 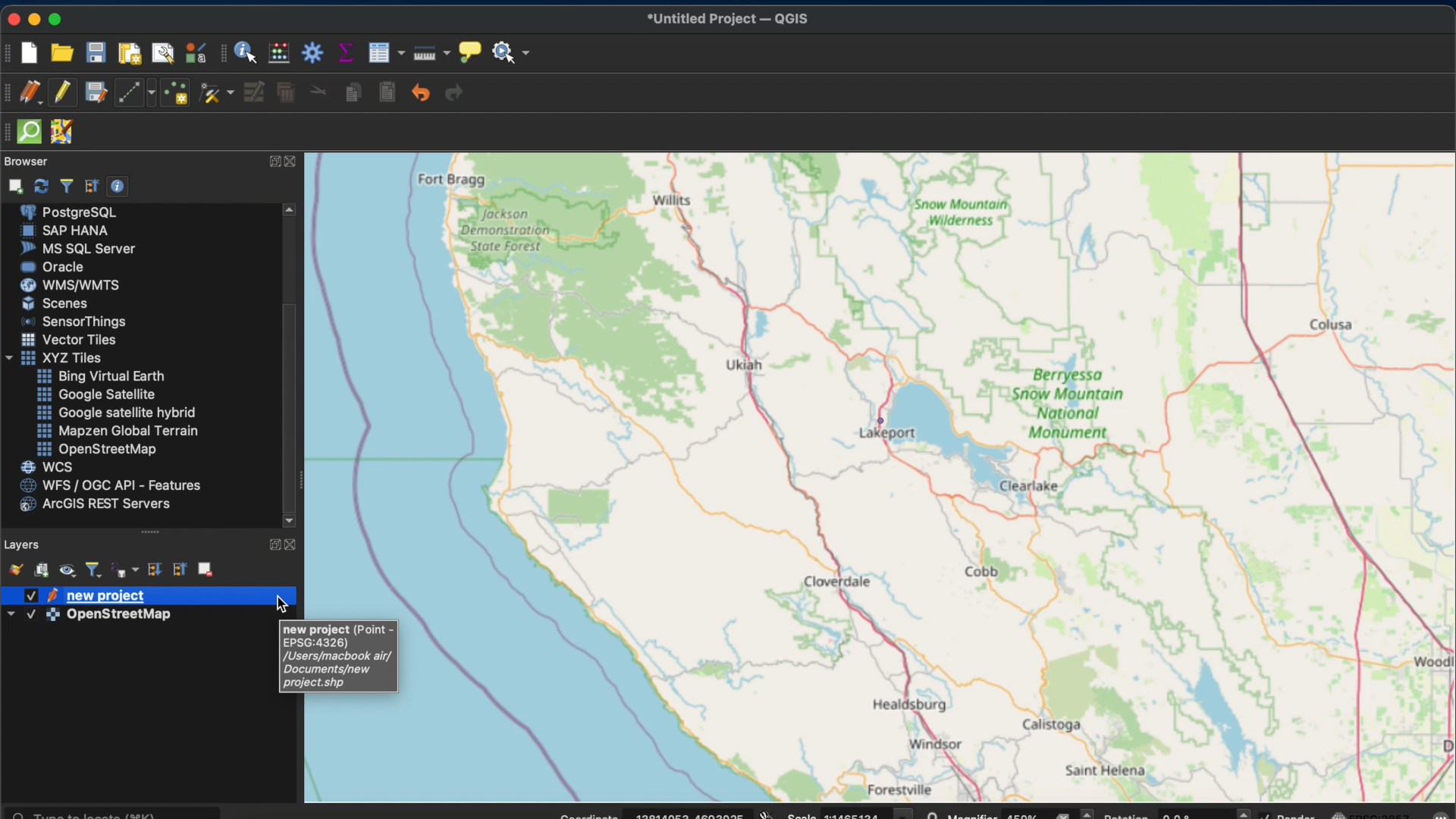 I want to click on add. selected layer, so click(x=13, y=184).